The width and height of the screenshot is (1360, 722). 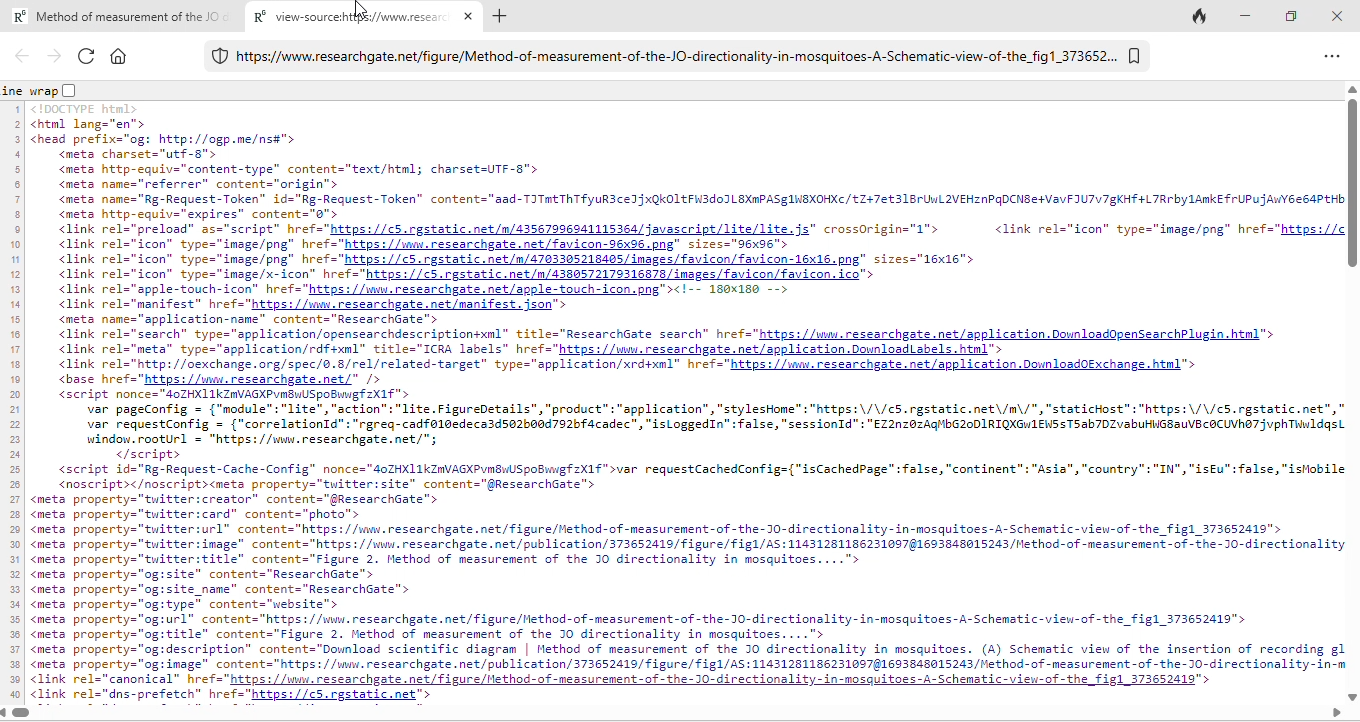 I want to click on cursor, so click(x=361, y=16).